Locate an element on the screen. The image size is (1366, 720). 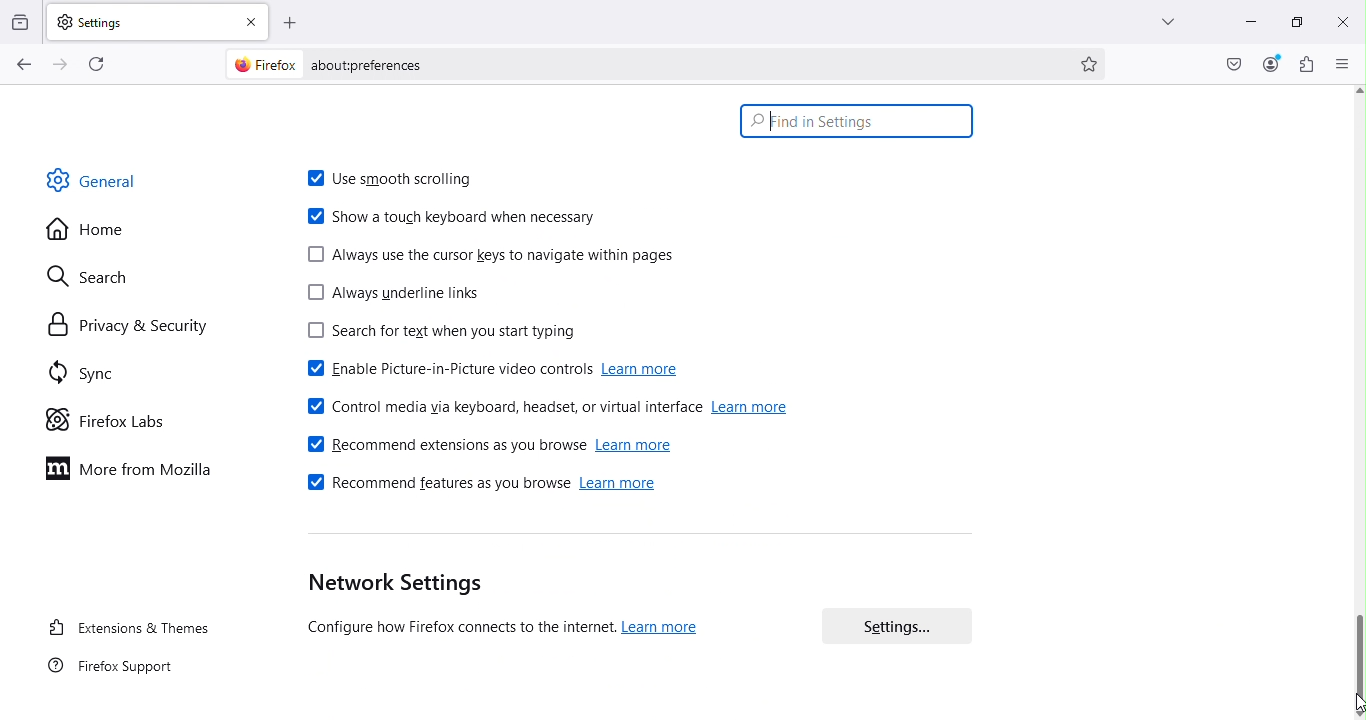
Go back one page is located at coordinates (24, 65).